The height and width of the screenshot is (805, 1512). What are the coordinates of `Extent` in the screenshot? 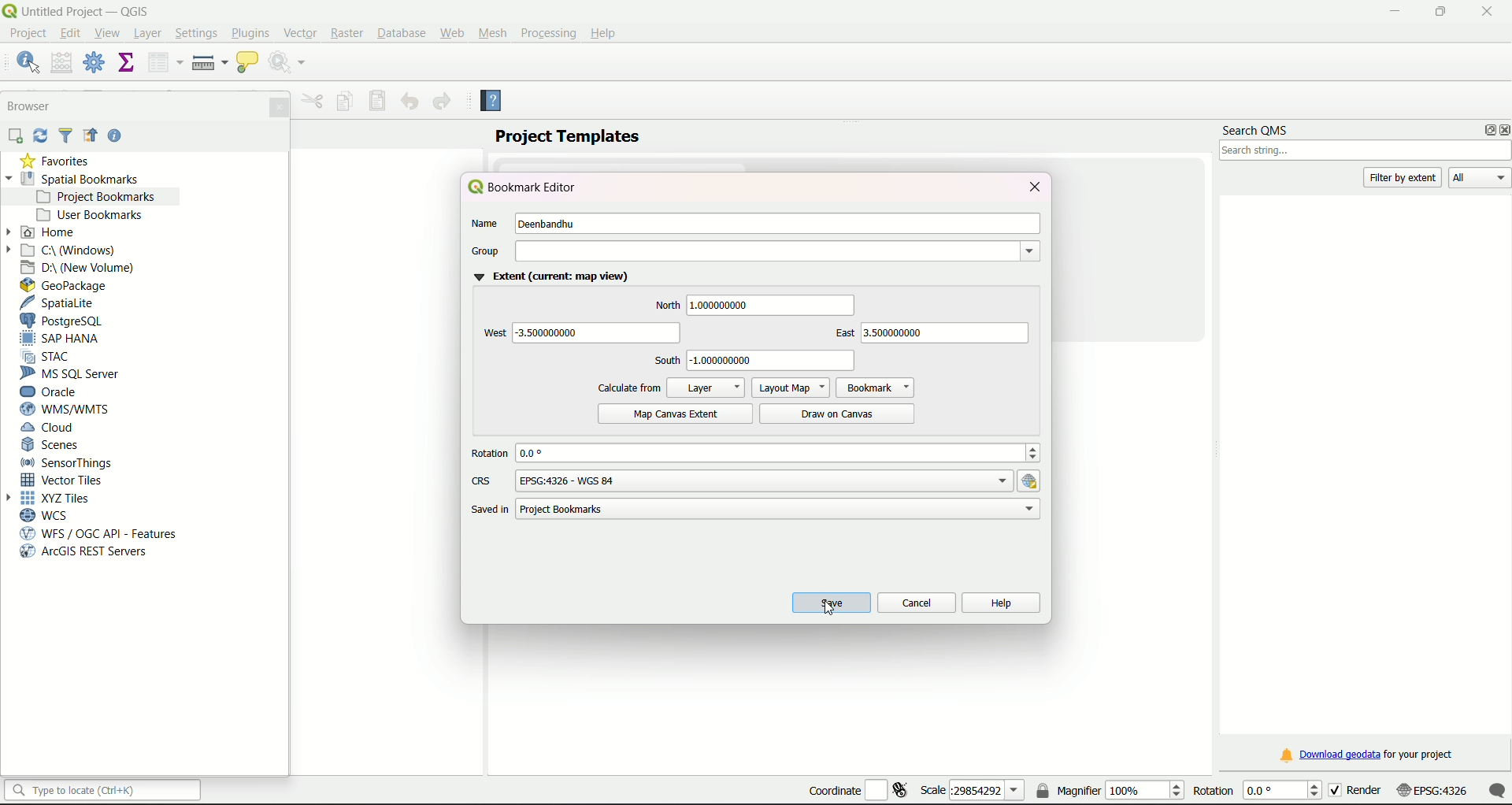 It's located at (550, 277).